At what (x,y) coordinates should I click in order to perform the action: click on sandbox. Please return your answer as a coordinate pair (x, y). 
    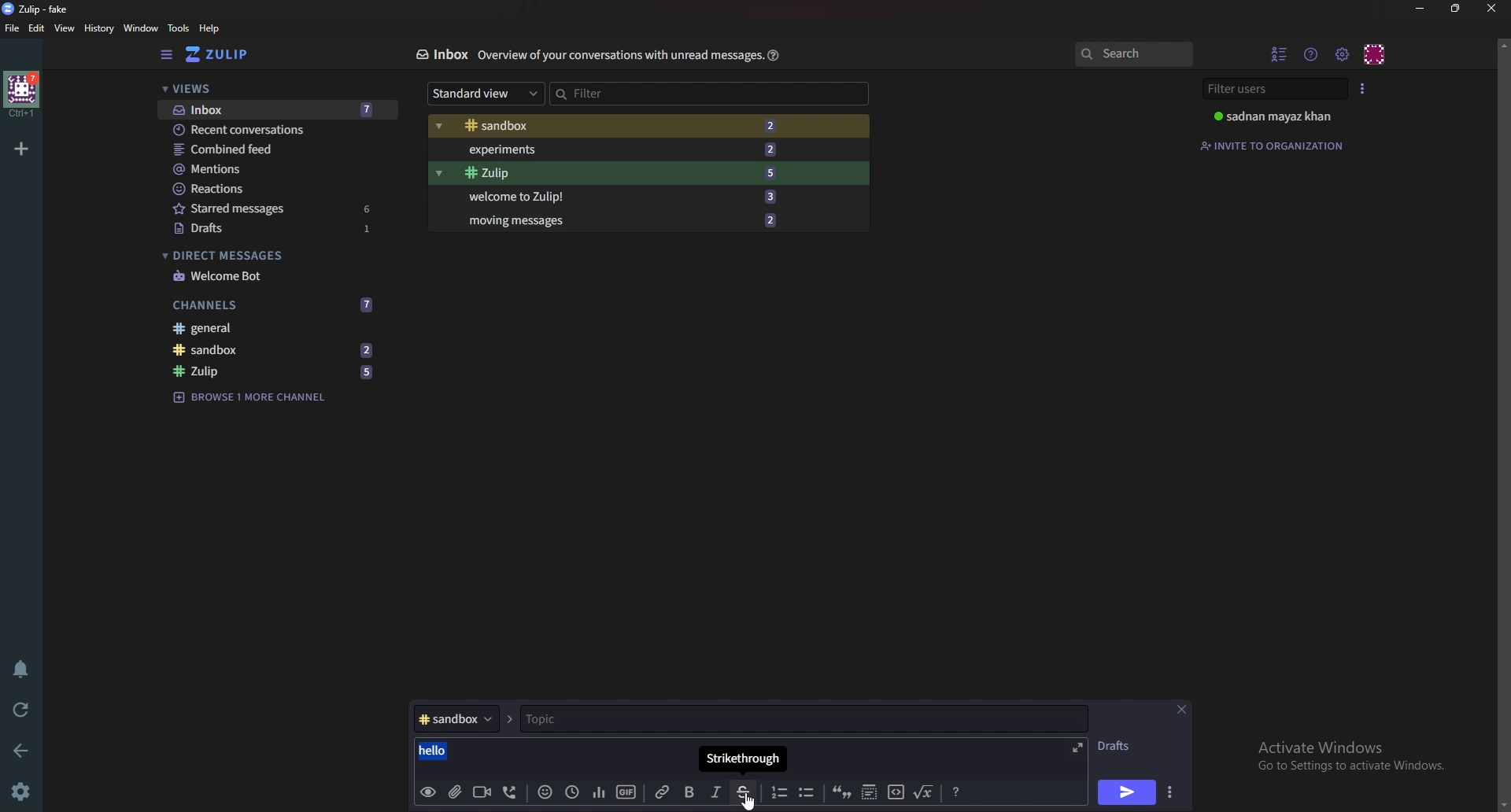
    Looking at the image, I should click on (279, 349).